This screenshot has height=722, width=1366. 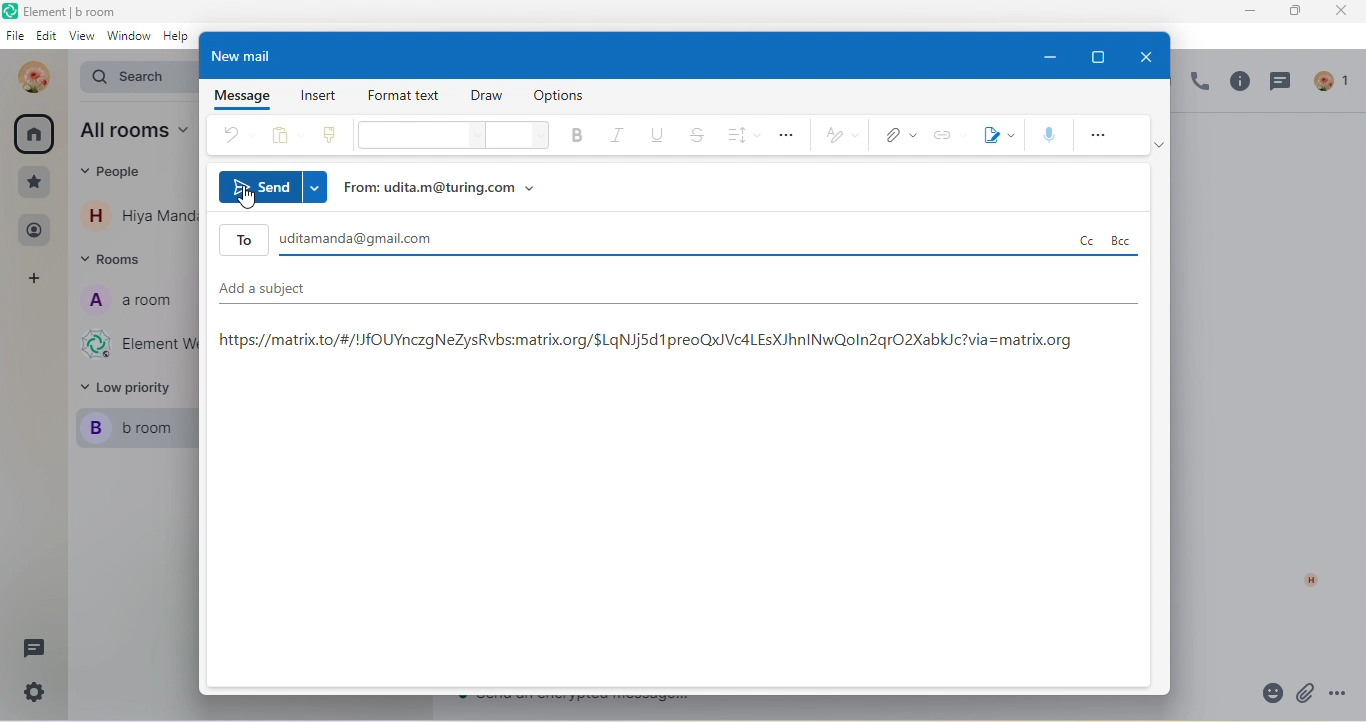 What do you see at coordinates (1104, 53) in the screenshot?
I see `maximize` at bounding box center [1104, 53].